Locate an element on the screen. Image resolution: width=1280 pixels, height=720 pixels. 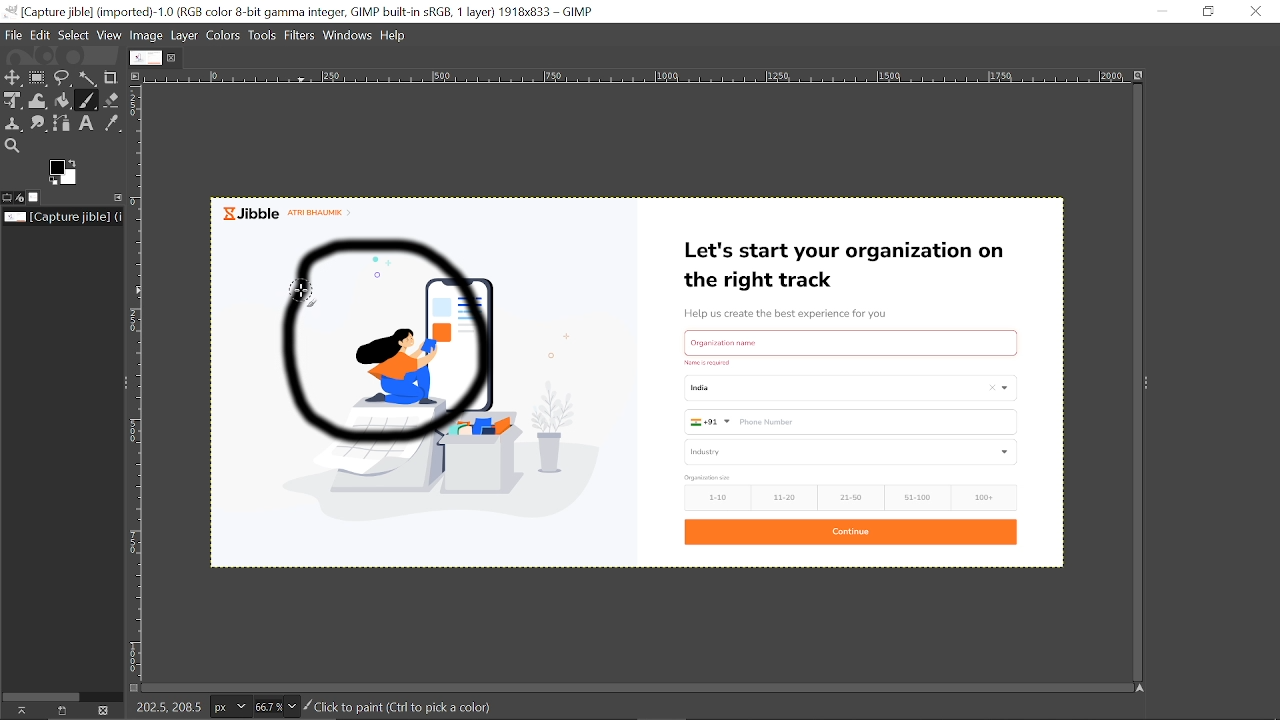
Free select ttol is located at coordinates (64, 79).